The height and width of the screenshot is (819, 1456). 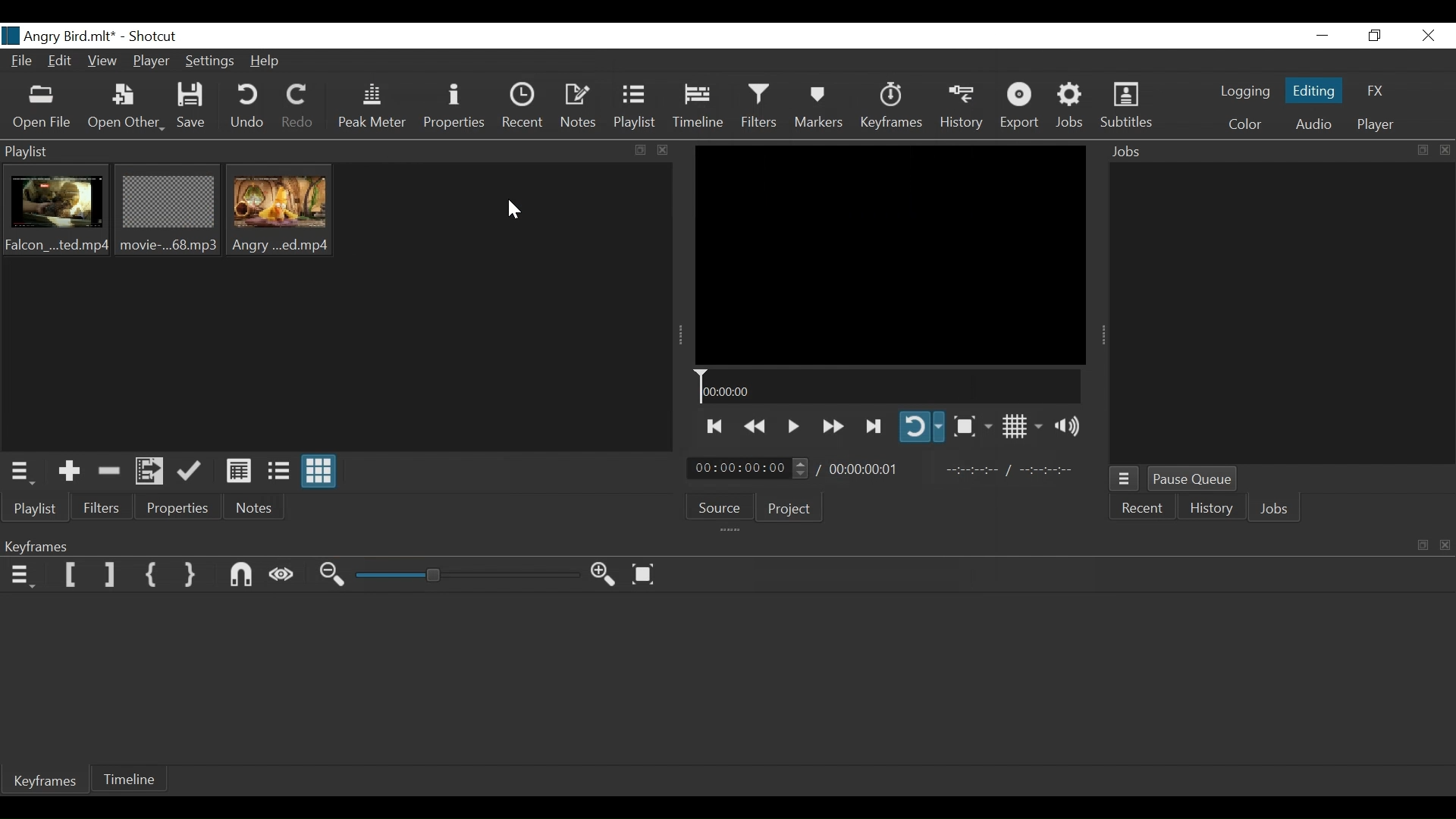 What do you see at coordinates (1009, 471) in the screenshot?
I see `In point` at bounding box center [1009, 471].